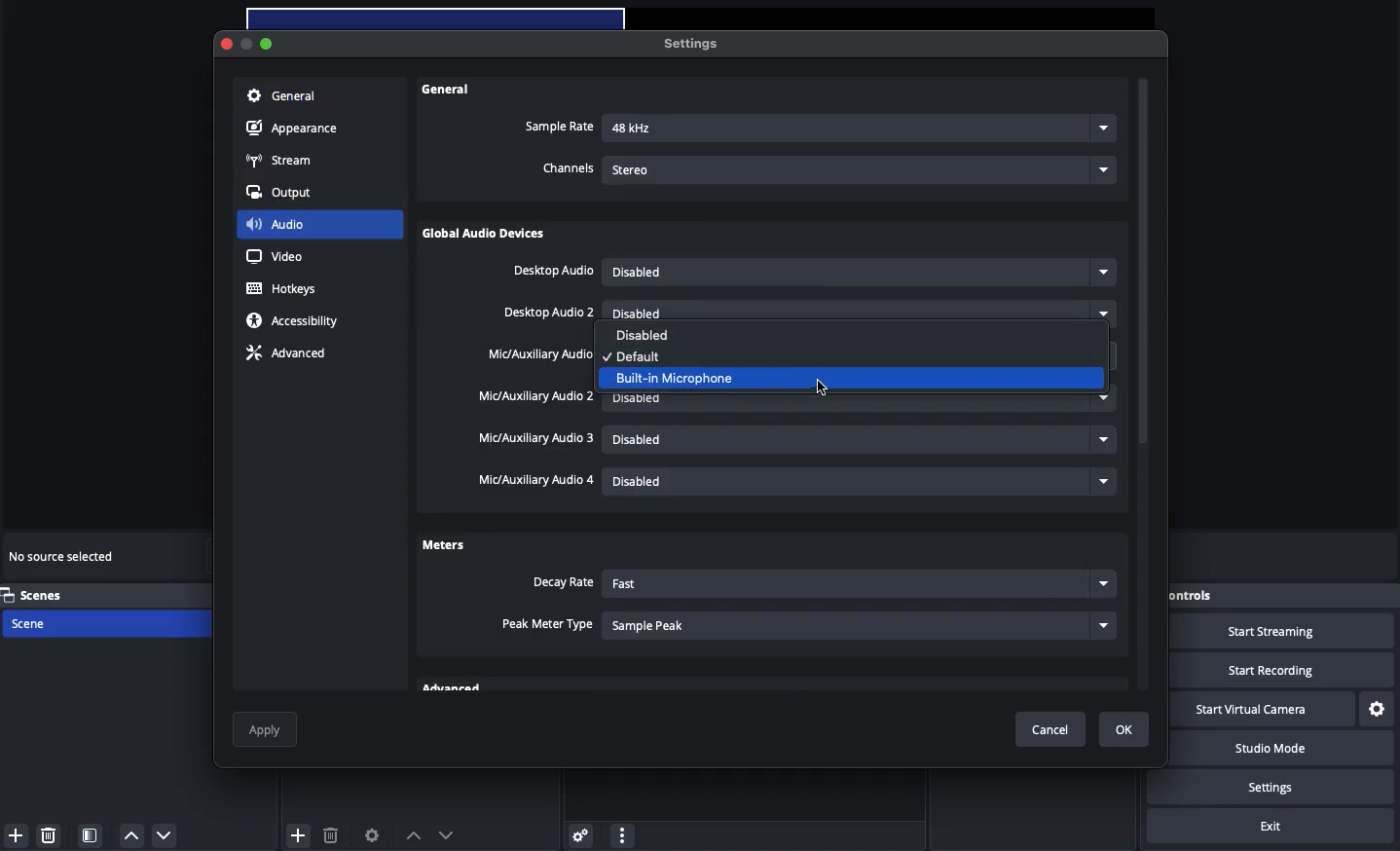  Describe the element at coordinates (63, 559) in the screenshot. I see `No source selected` at that location.